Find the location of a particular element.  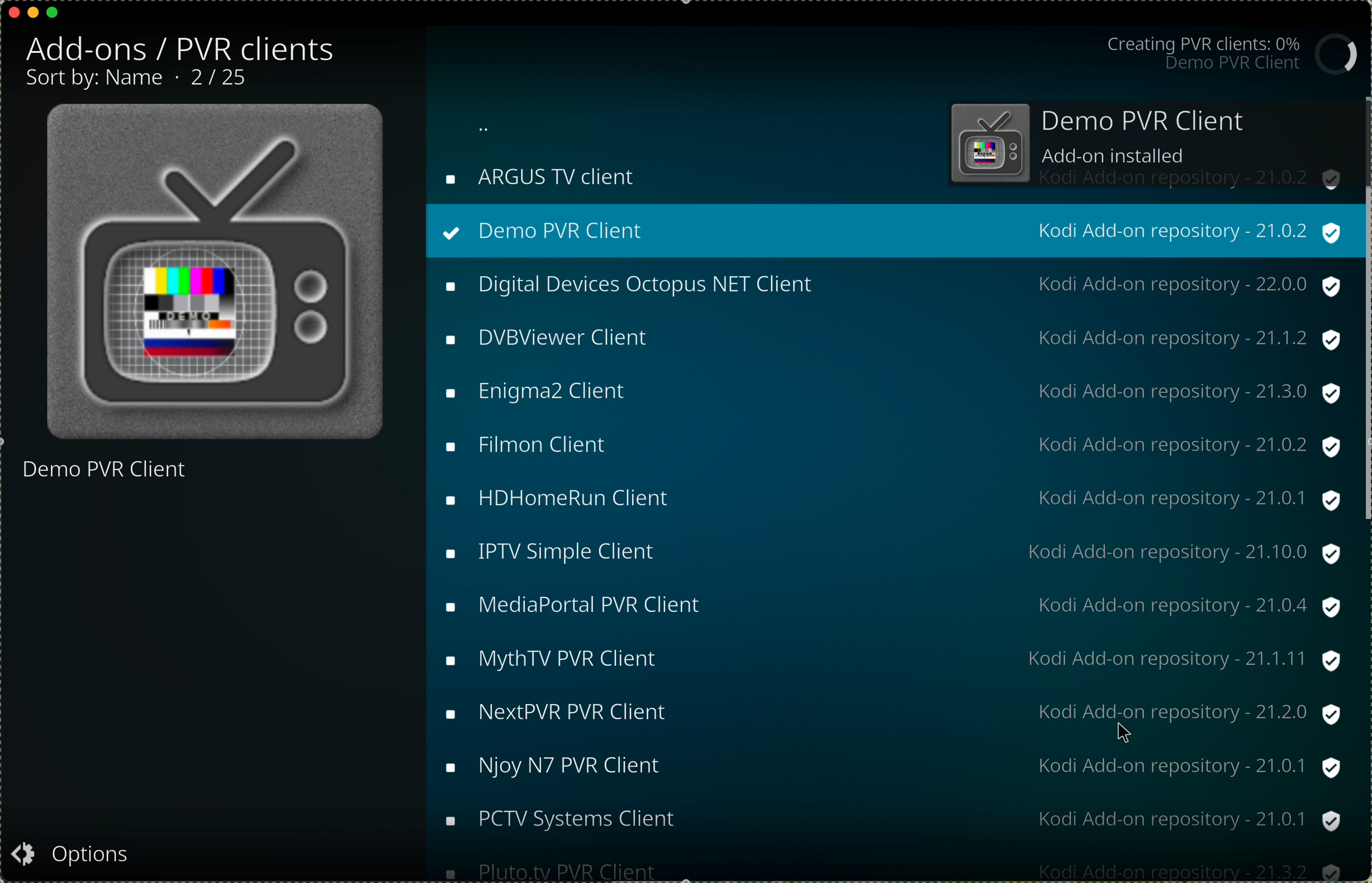

 is located at coordinates (889, 392).